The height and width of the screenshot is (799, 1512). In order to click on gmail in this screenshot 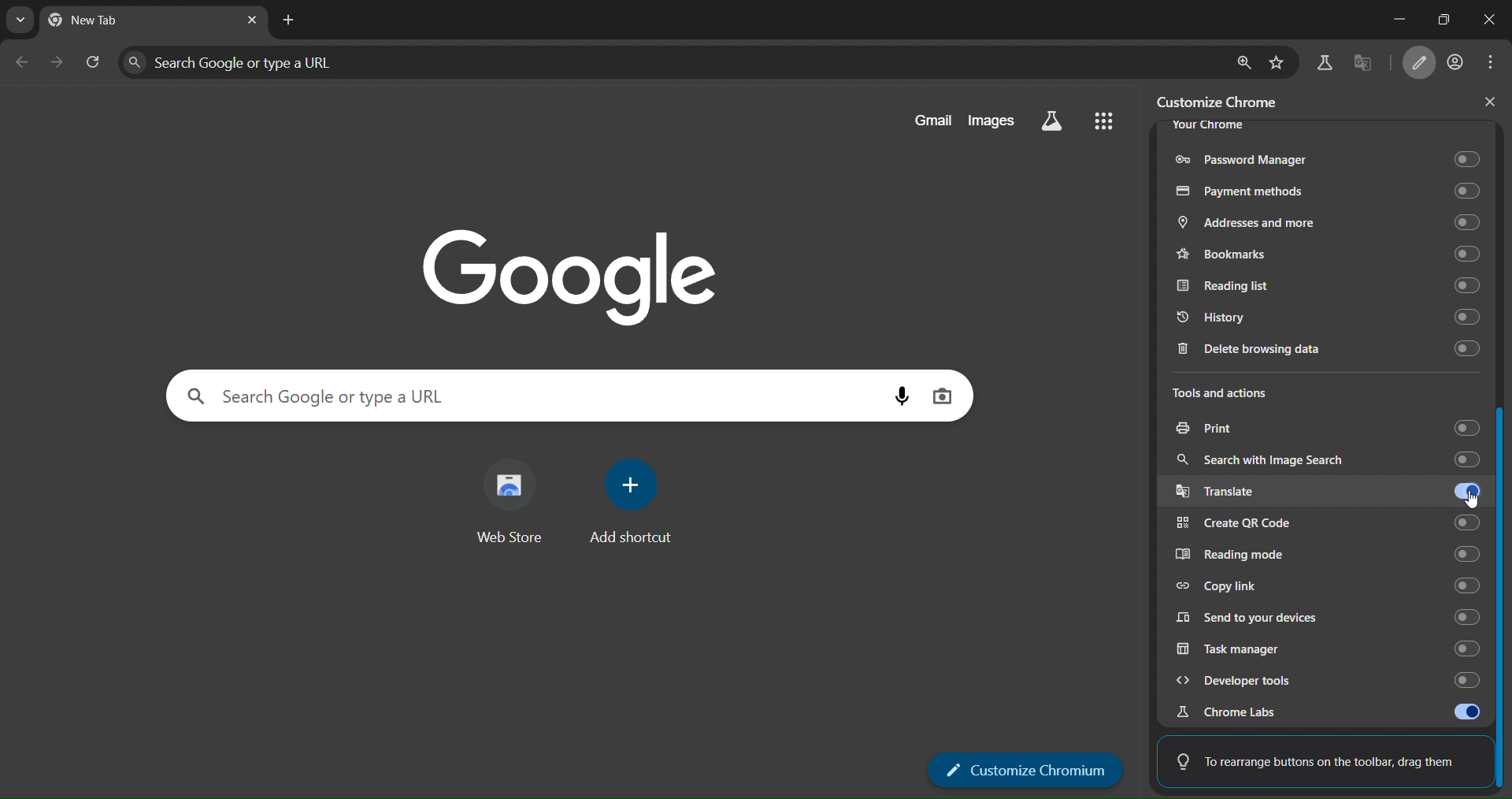, I will do `click(928, 121)`.